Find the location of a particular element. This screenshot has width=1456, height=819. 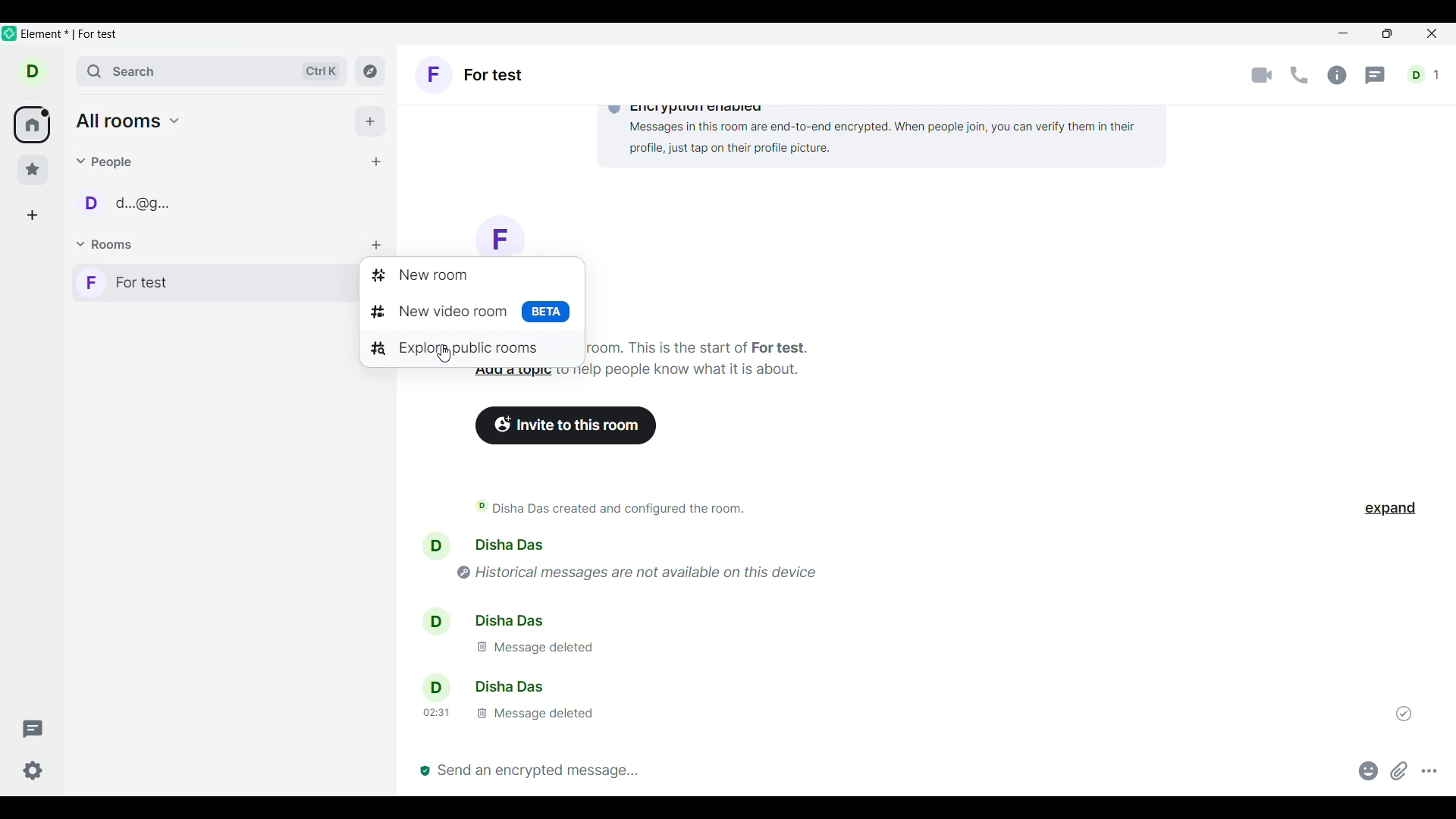

Room info is located at coordinates (1338, 75).